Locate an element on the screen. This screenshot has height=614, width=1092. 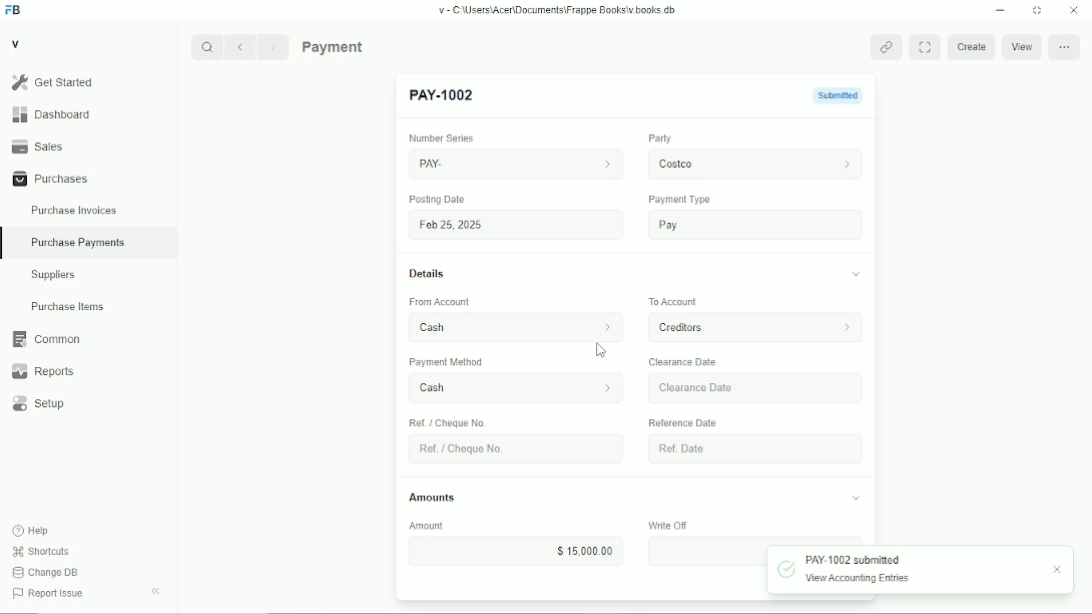
‘Payment Method is located at coordinates (454, 364).